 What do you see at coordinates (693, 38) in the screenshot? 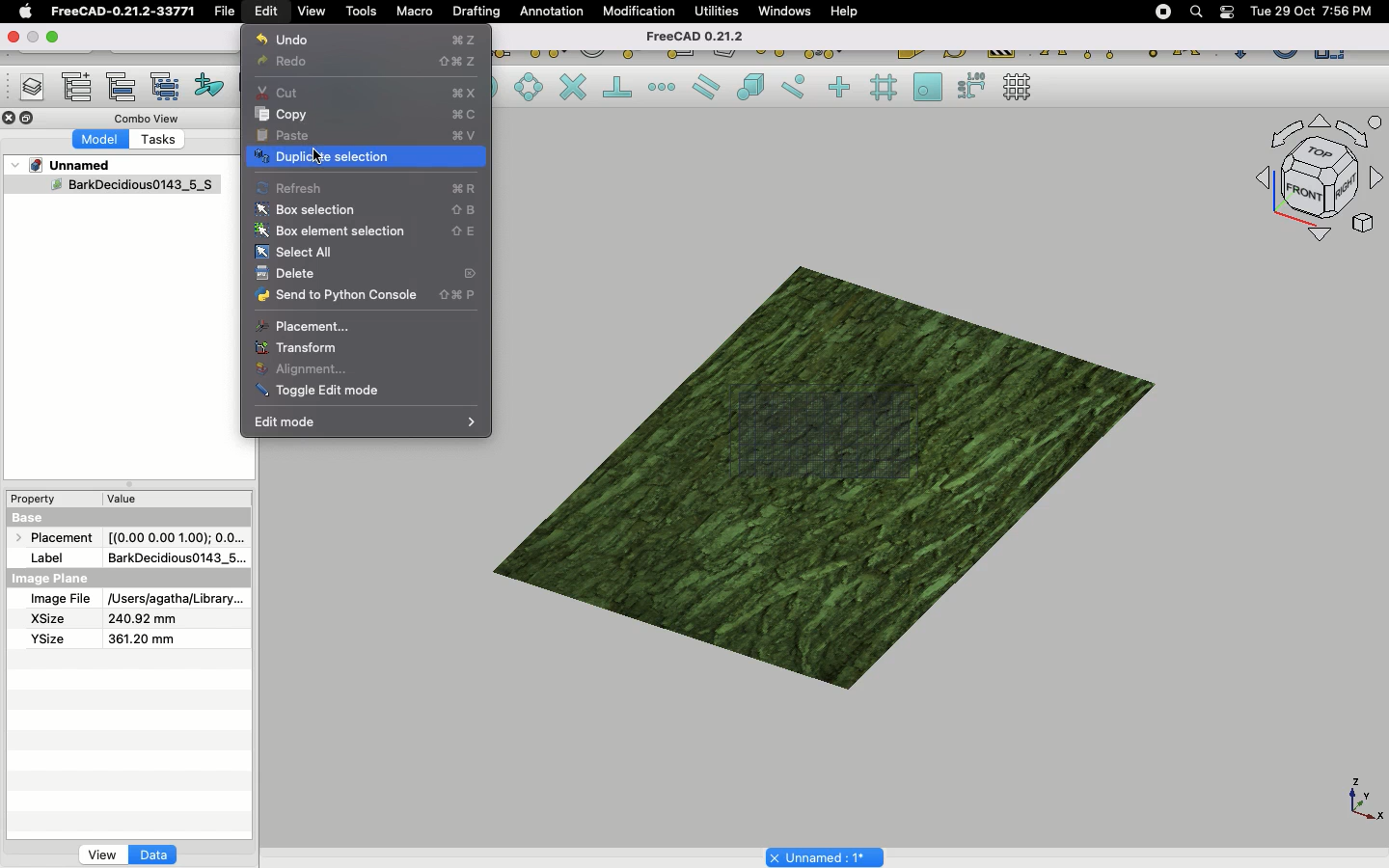
I see `FreeCAD 0.21.2` at bounding box center [693, 38].